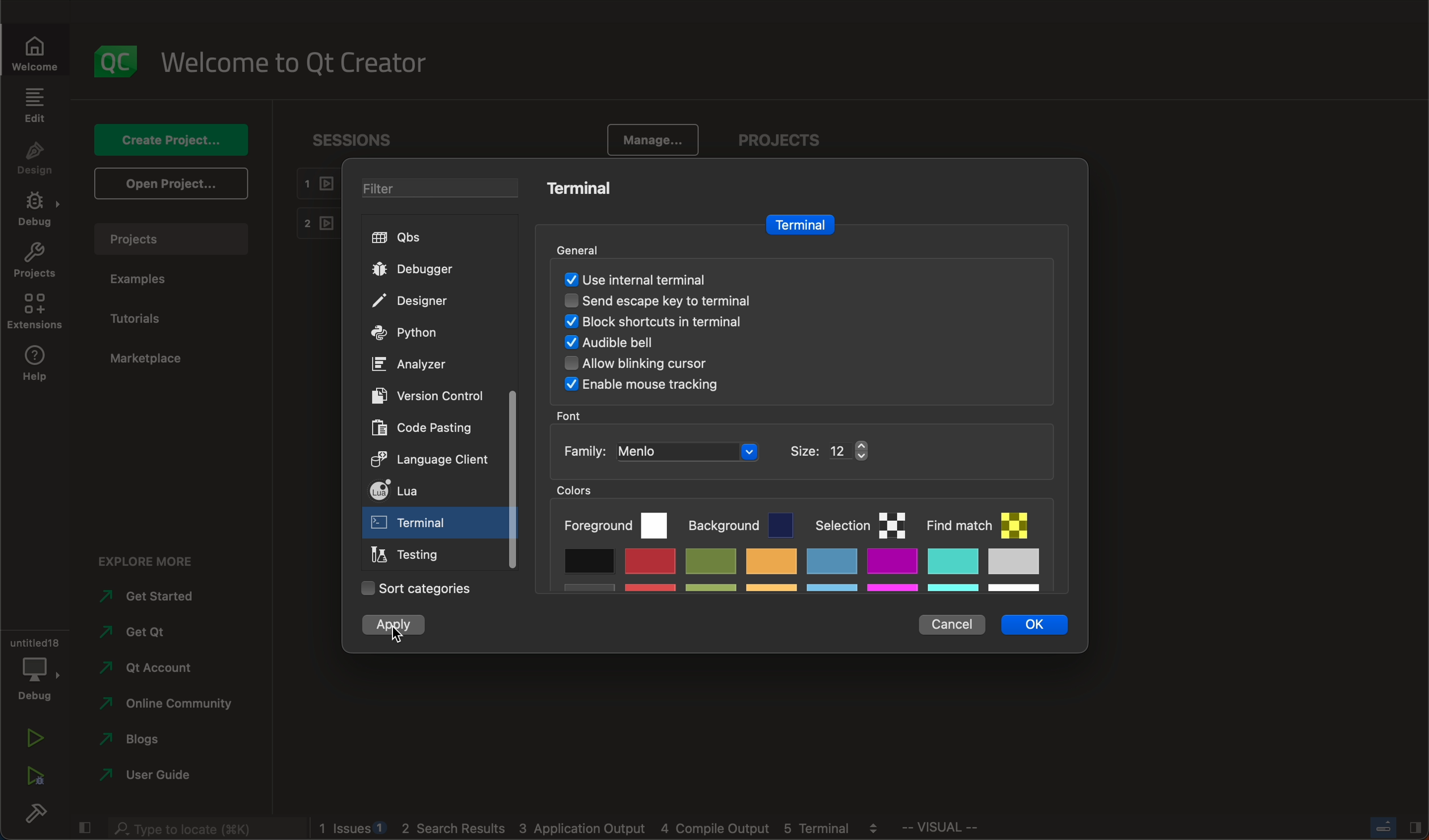 The height and width of the screenshot is (840, 1429). I want to click on send escape key, so click(675, 299).